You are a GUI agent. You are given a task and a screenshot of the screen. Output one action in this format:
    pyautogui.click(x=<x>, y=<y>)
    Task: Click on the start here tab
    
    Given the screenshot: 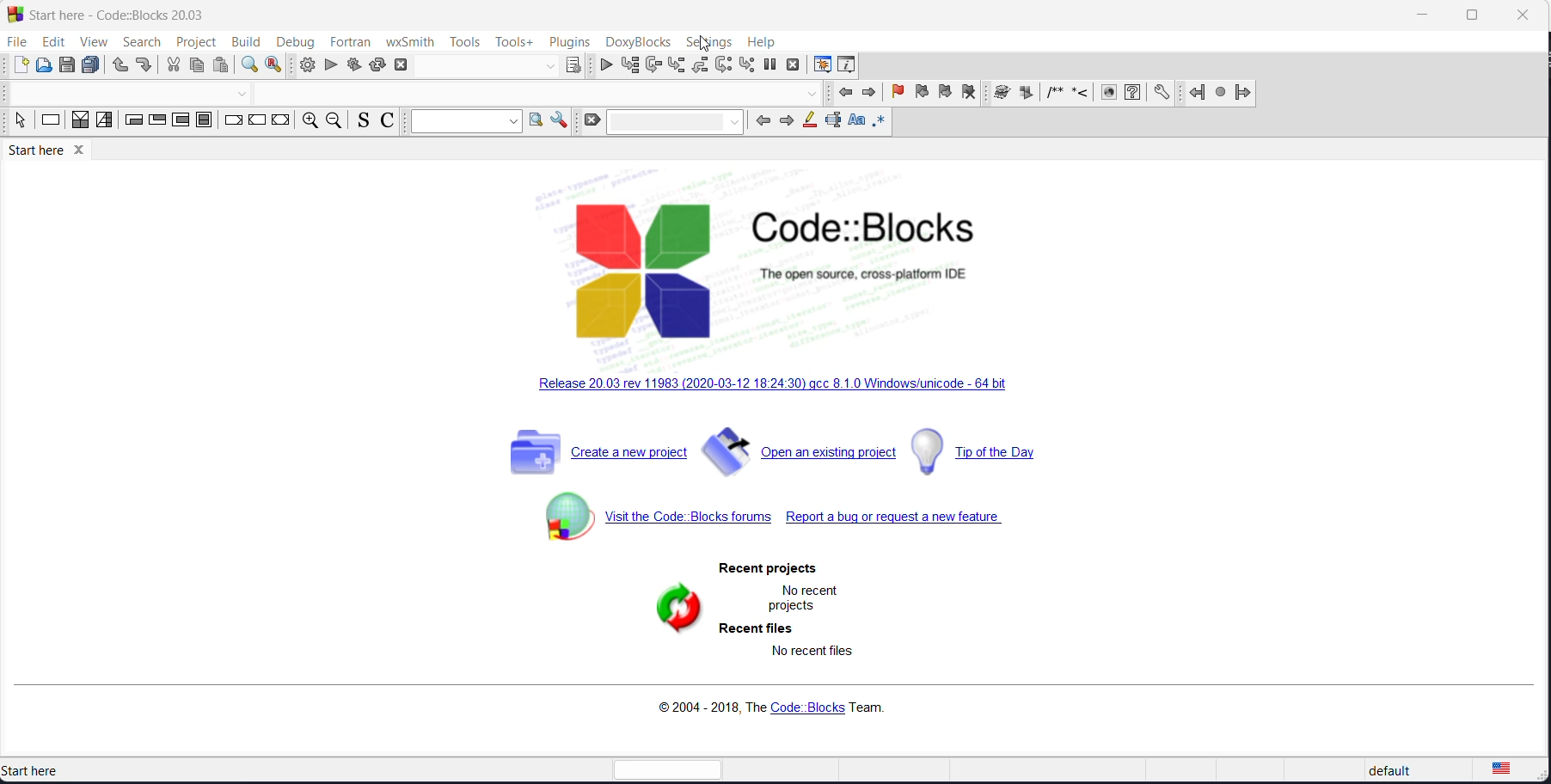 What is the action you would take?
    pyautogui.click(x=58, y=153)
    